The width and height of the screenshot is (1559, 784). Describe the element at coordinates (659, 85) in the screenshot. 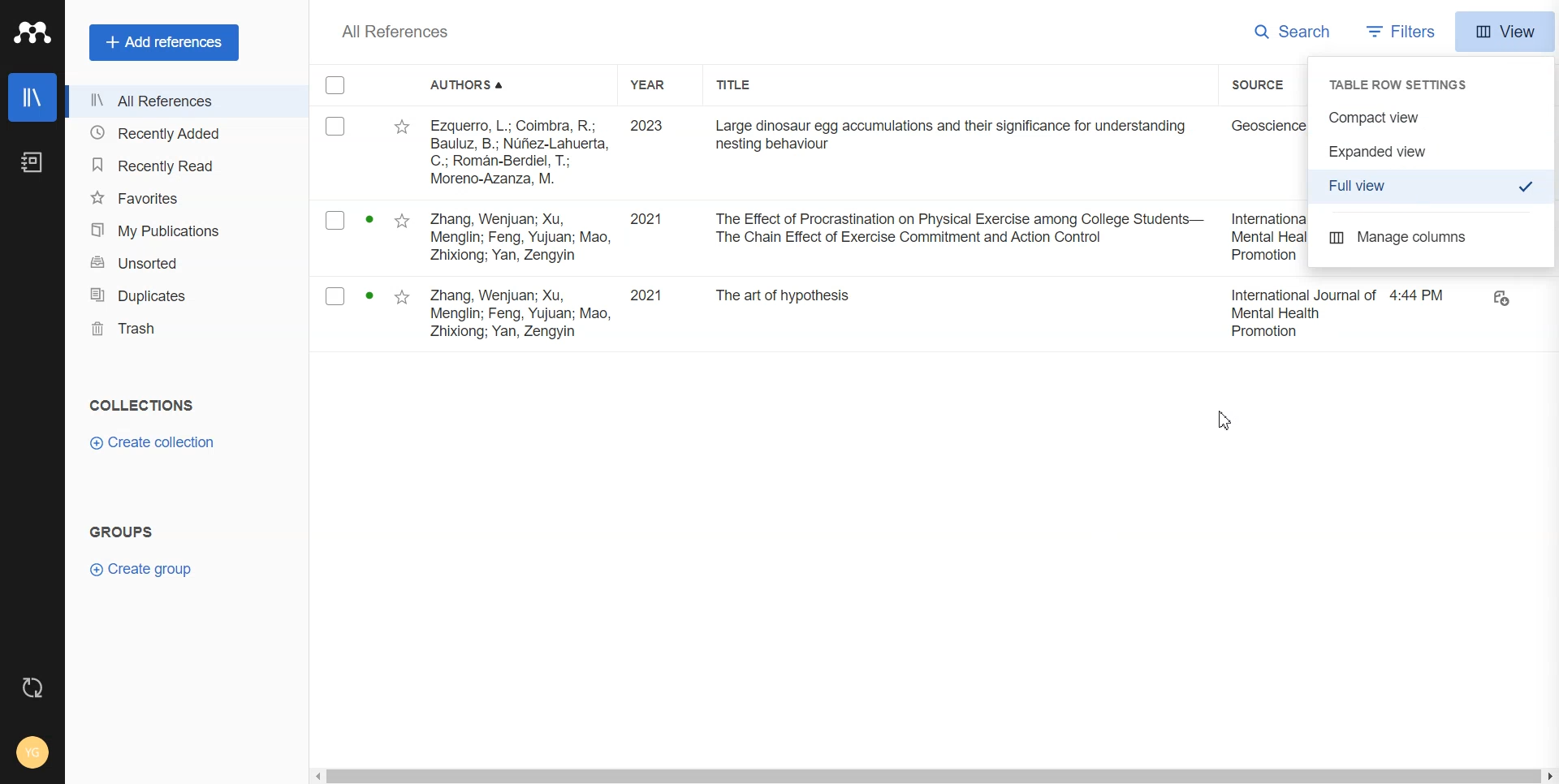

I see `Year` at that location.